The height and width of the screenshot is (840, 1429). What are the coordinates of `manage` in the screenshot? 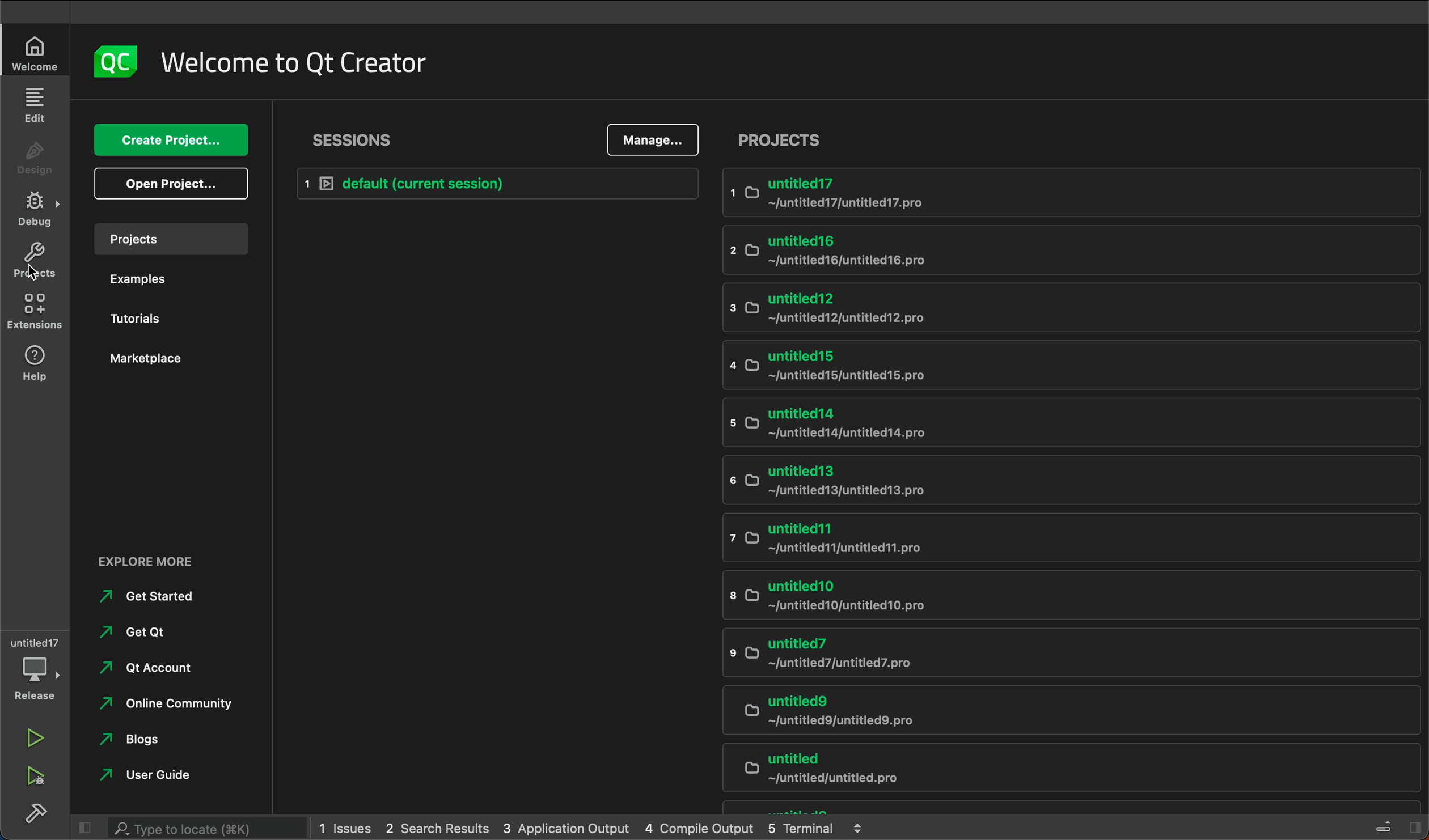 It's located at (653, 140).